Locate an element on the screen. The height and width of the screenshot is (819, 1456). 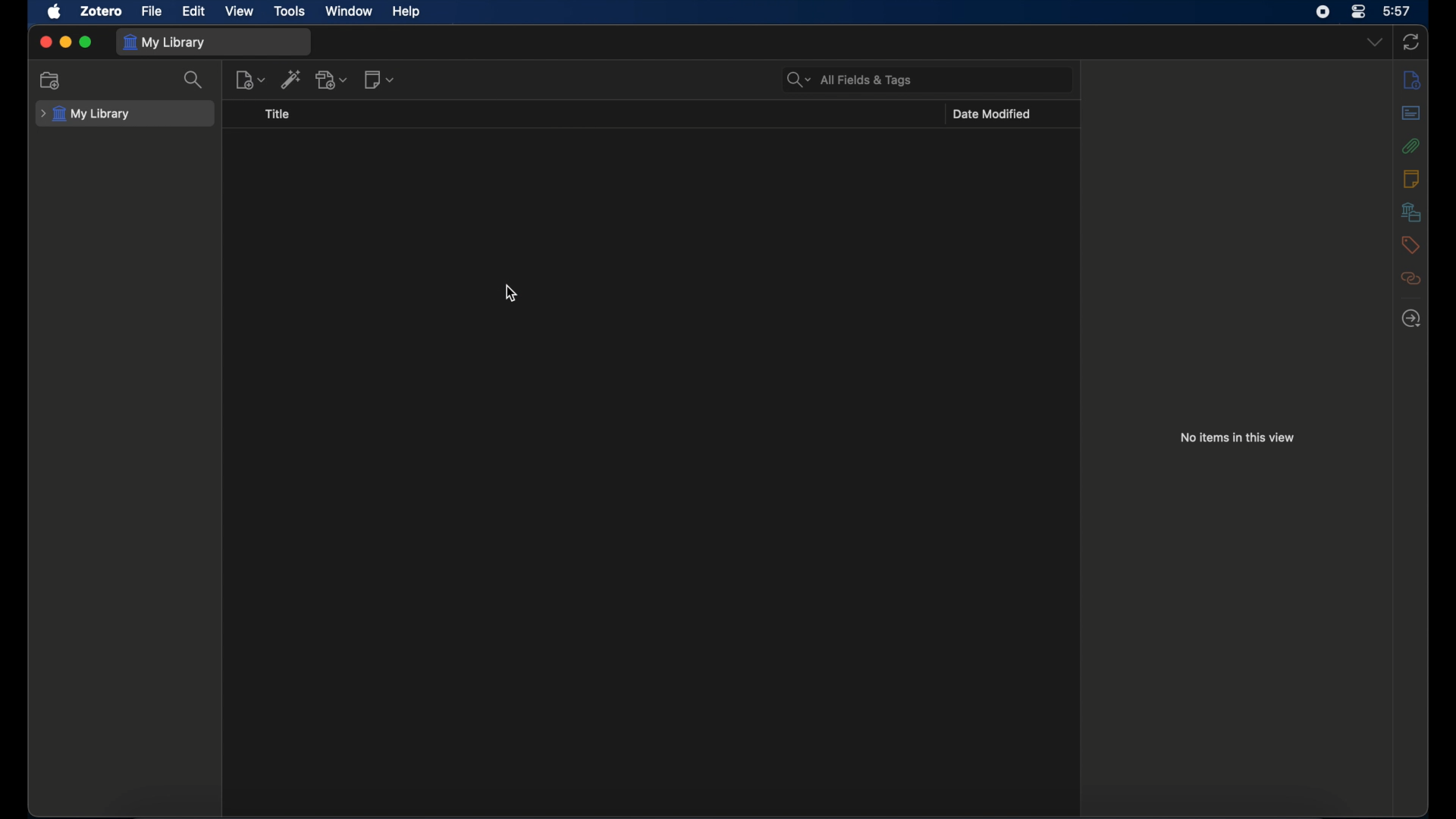
my library is located at coordinates (86, 114).